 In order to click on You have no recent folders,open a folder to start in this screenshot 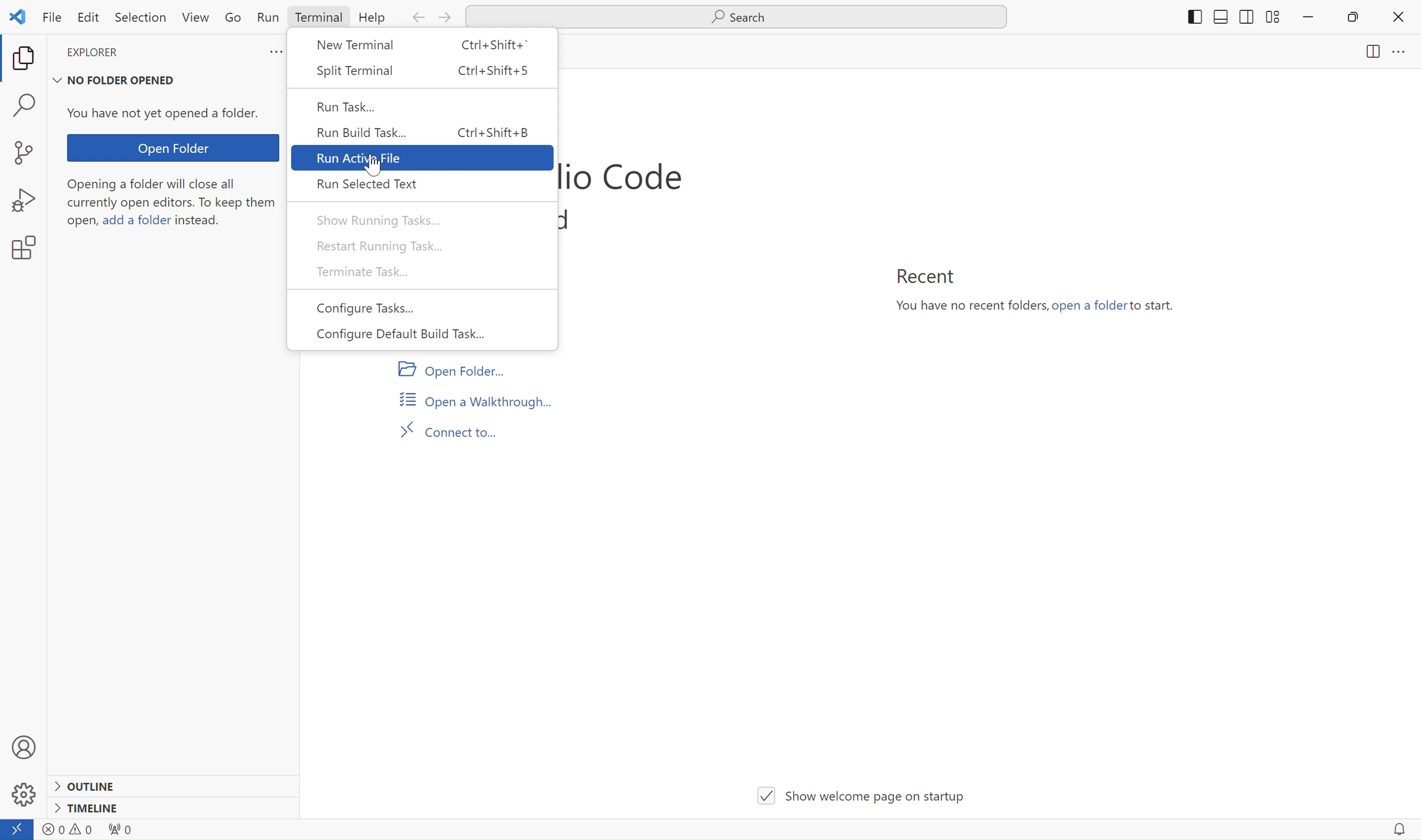, I will do `click(1036, 311)`.